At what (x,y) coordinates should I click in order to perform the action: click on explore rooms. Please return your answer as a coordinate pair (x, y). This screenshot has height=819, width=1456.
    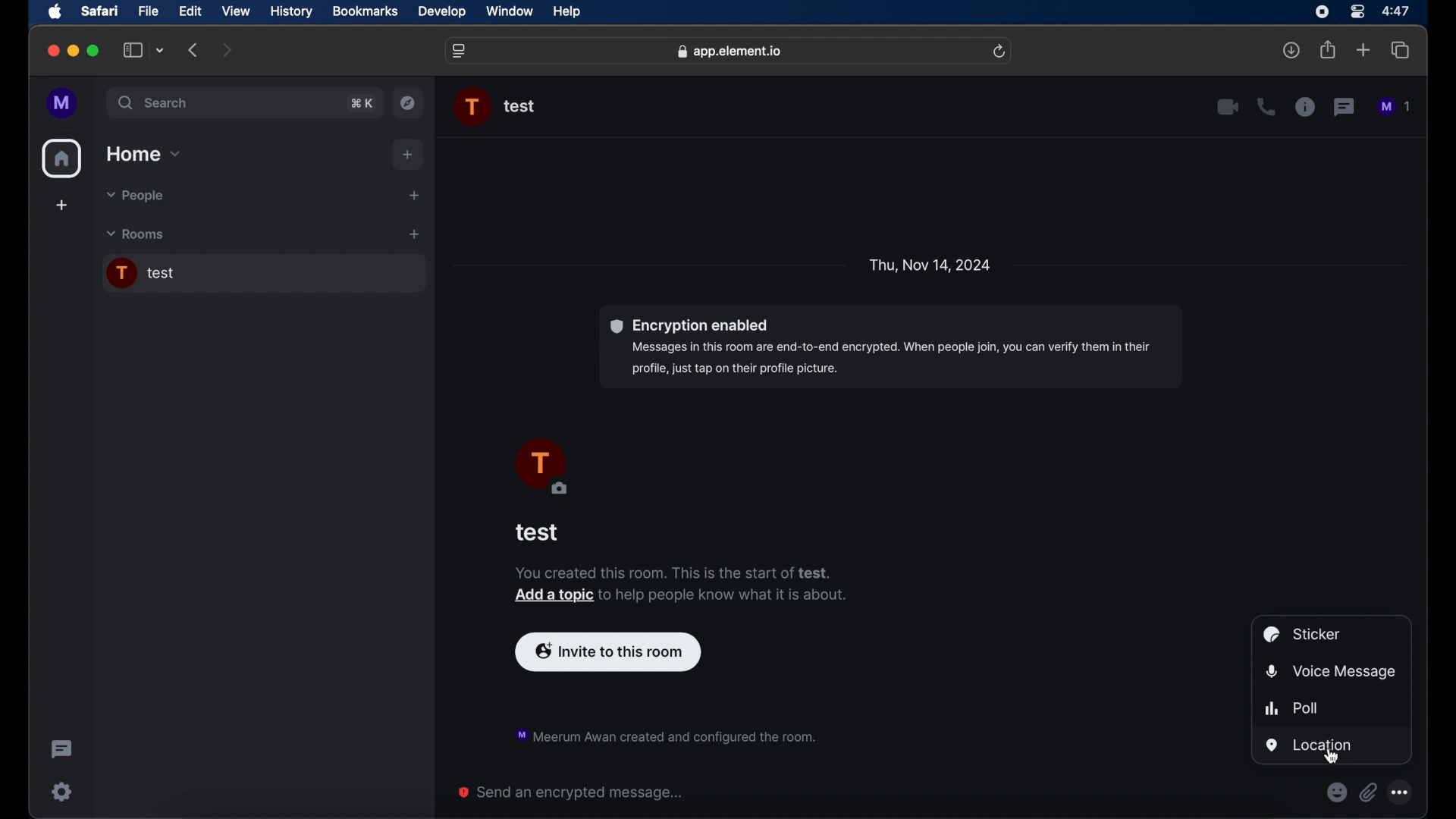
    Looking at the image, I should click on (409, 102).